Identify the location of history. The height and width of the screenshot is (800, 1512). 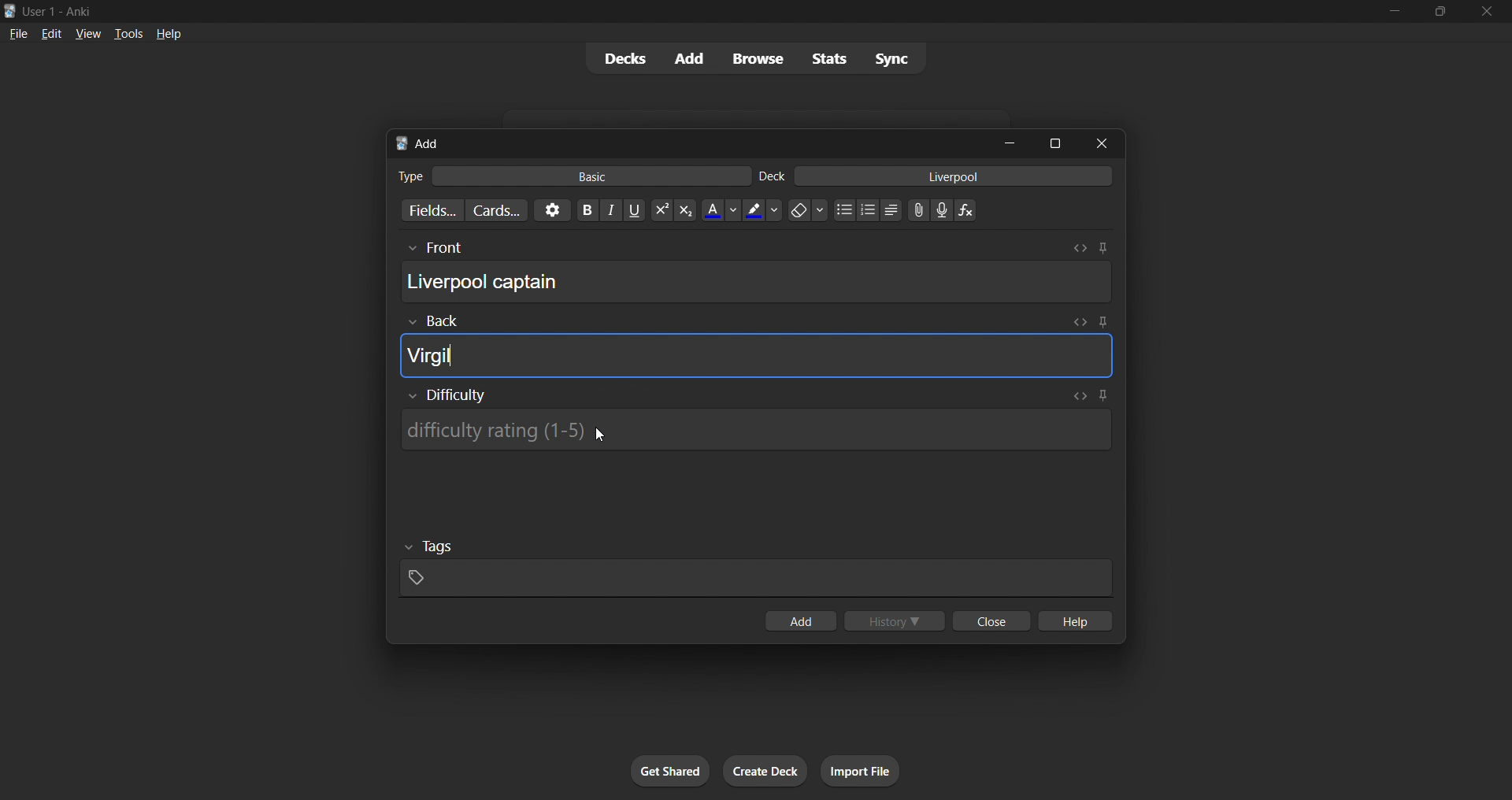
(895, 620).